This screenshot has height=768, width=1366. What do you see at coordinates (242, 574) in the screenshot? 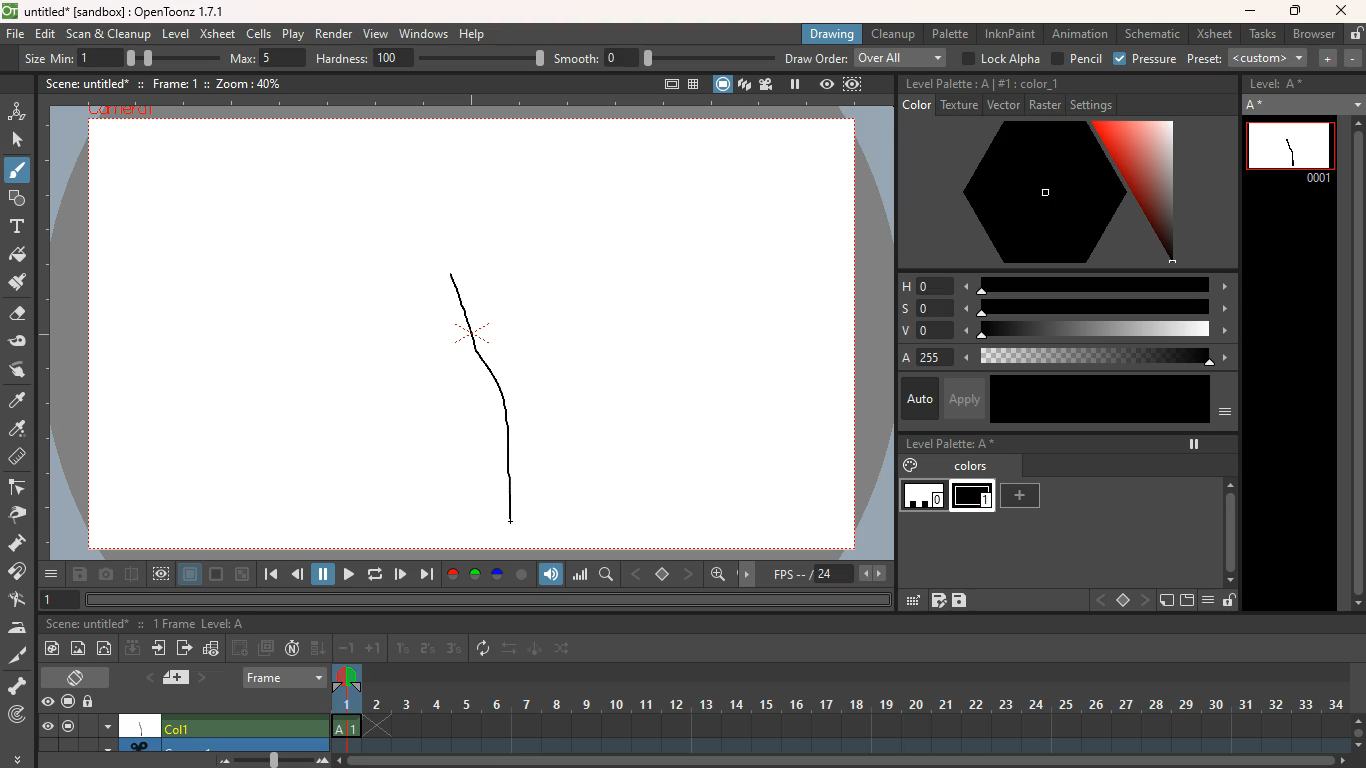
I see `minimize` at bounding box center [242, 574].